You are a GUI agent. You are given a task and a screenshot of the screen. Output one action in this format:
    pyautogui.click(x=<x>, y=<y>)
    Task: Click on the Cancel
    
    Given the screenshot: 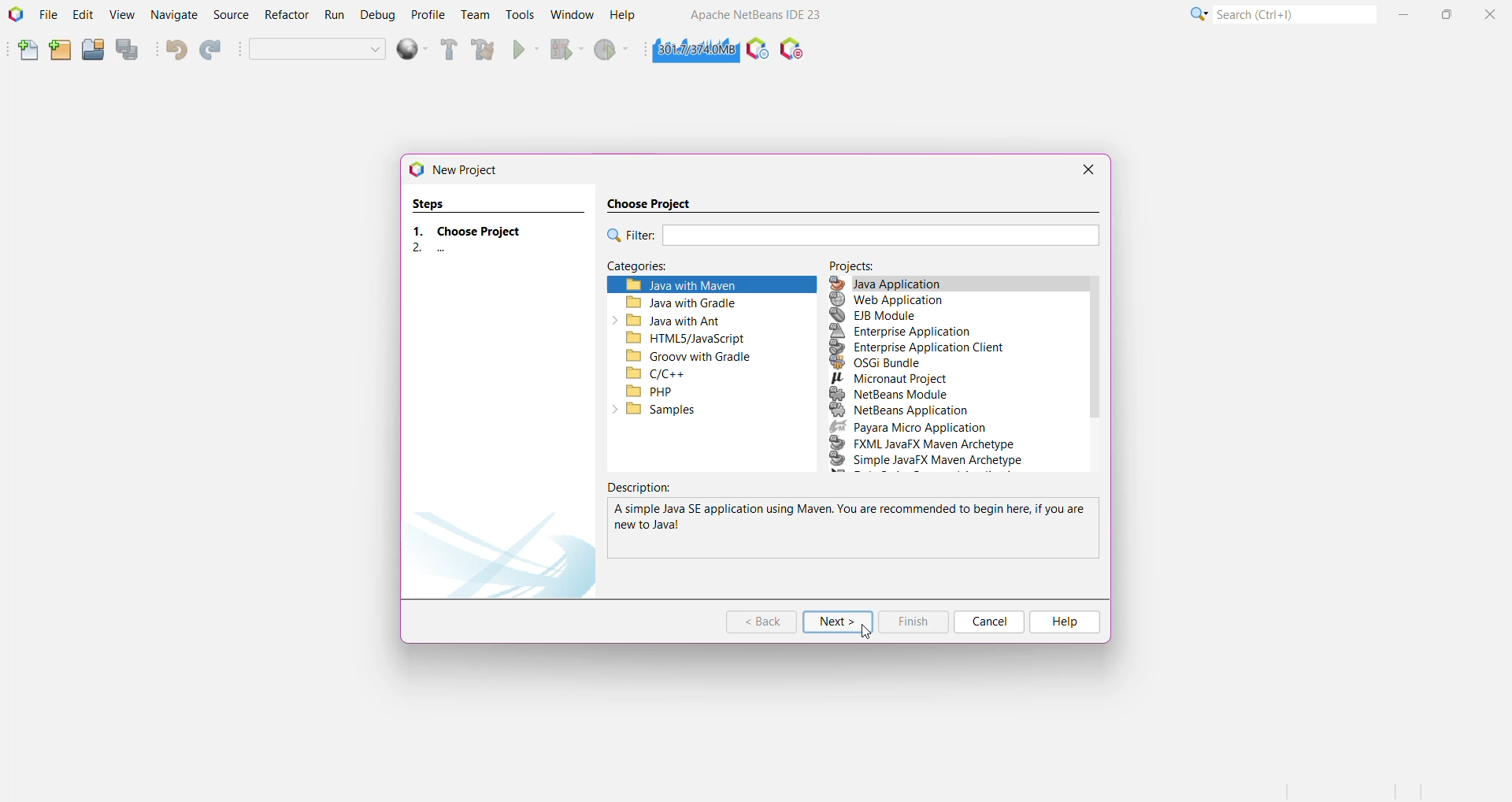 What is the action you would take?
    pyautogui.click(x=989, y=622)
    